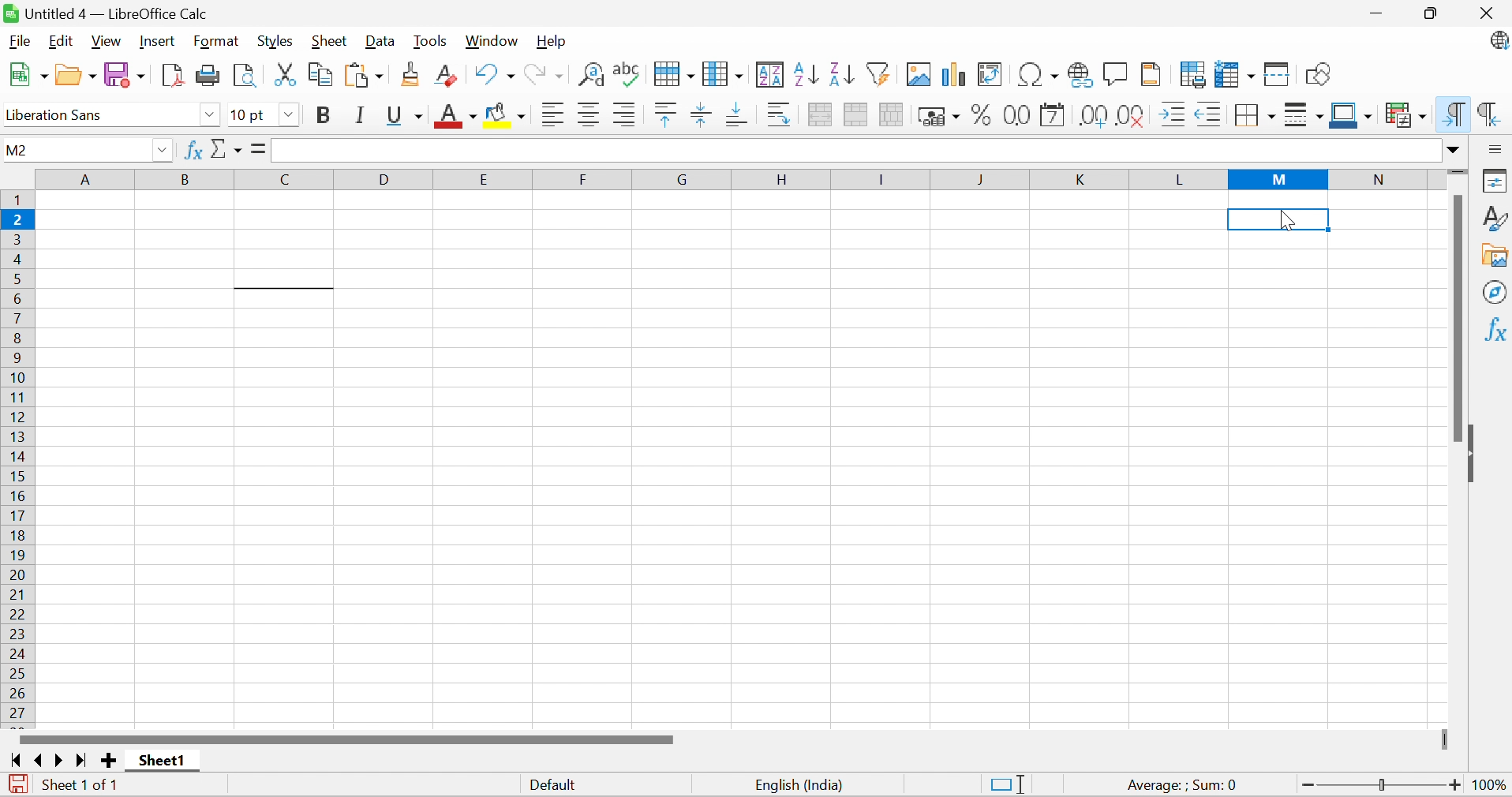 This screenshot has width=1512, height=797. What do you see at coordinates (555, 117) in the screenshot?
I see `Align left` at bounding box center [555, 117].